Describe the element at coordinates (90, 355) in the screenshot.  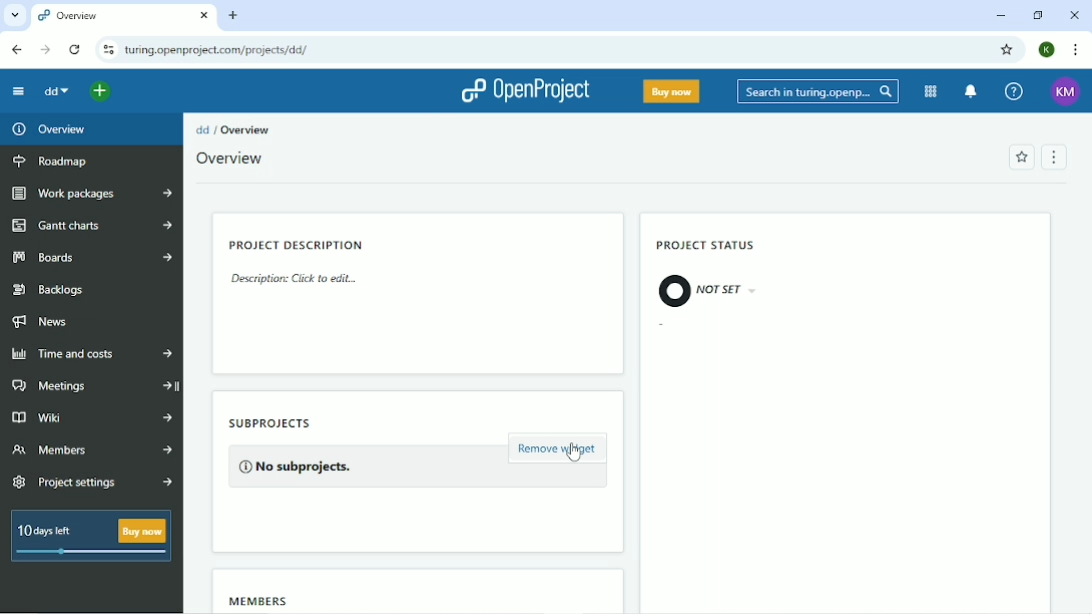
I see `Time and costs` at that location.